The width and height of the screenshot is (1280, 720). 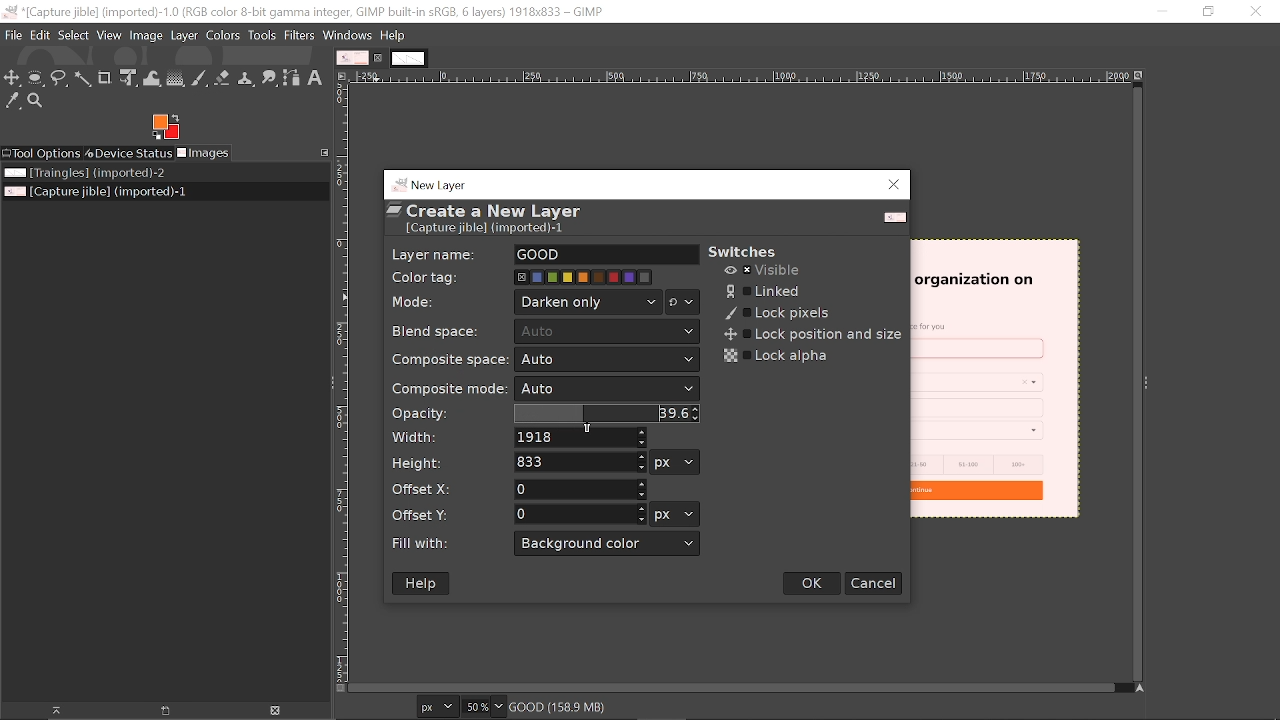 I want to click on other tab, so click(x=409, y=59).